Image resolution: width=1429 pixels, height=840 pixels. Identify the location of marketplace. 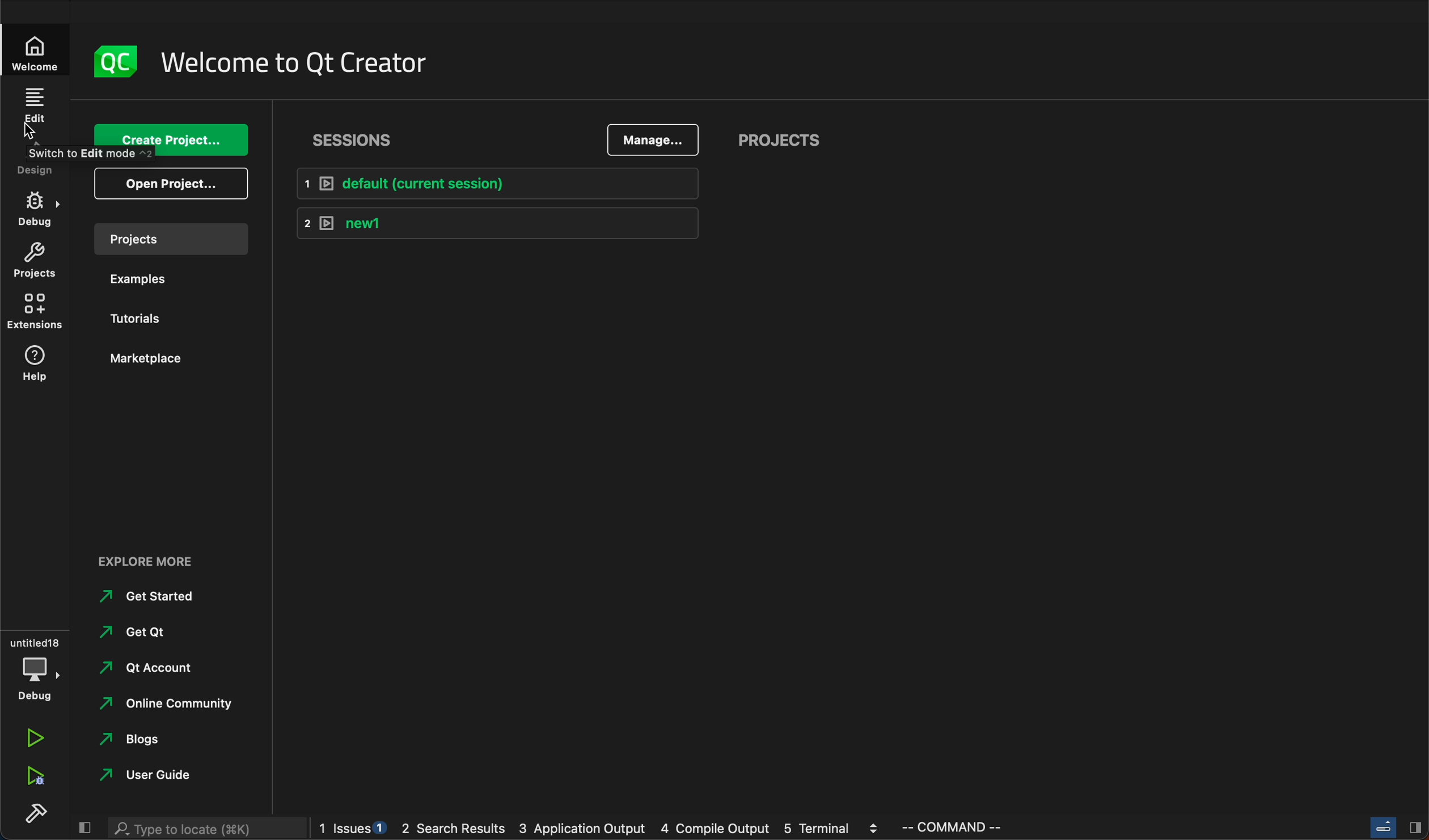
(150, 357).